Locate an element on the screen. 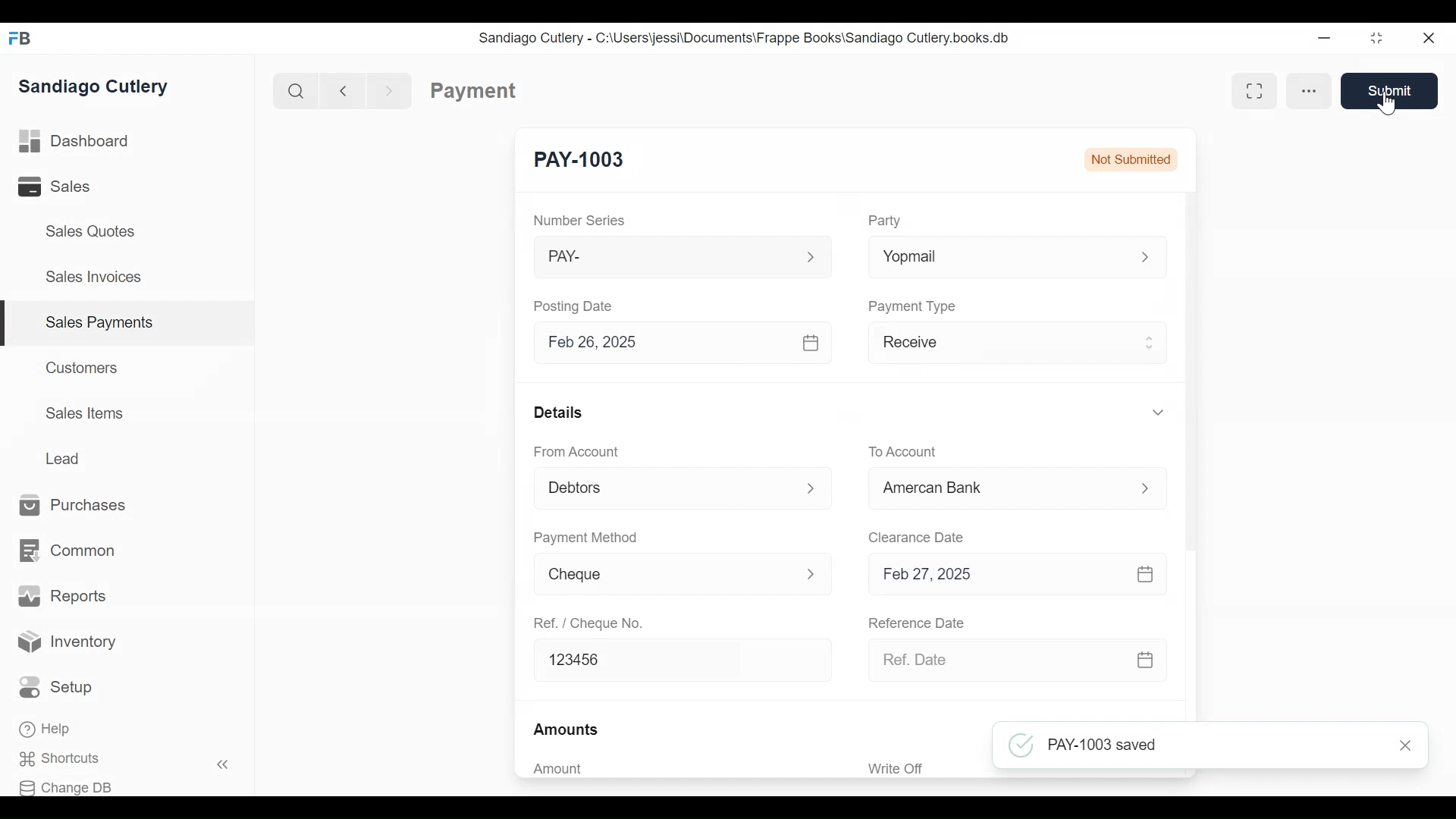  Purchases is located at coordinates (74, 506).